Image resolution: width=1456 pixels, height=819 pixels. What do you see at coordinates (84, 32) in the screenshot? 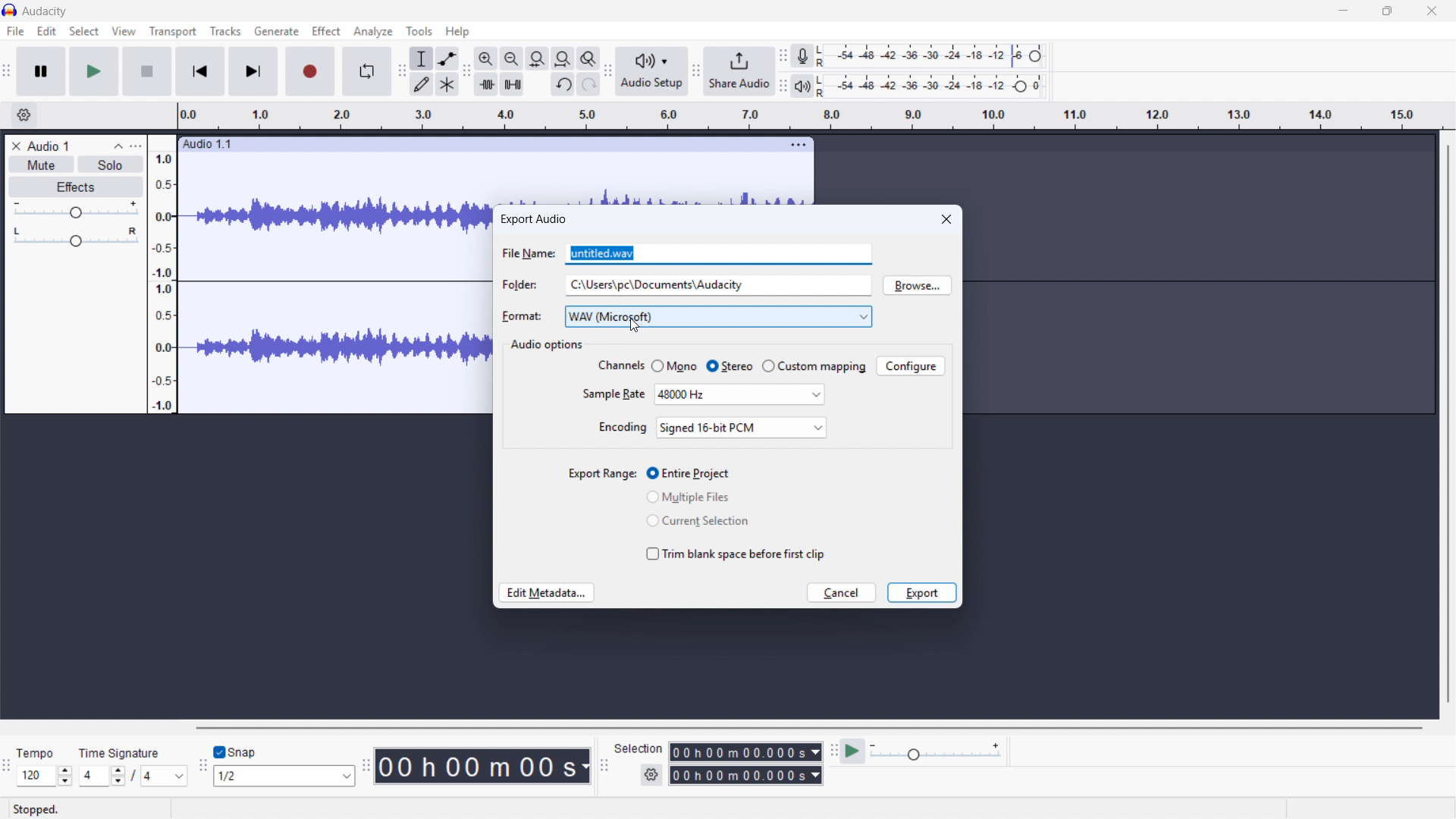
I see `Select ` at bounding box center [84, 32].